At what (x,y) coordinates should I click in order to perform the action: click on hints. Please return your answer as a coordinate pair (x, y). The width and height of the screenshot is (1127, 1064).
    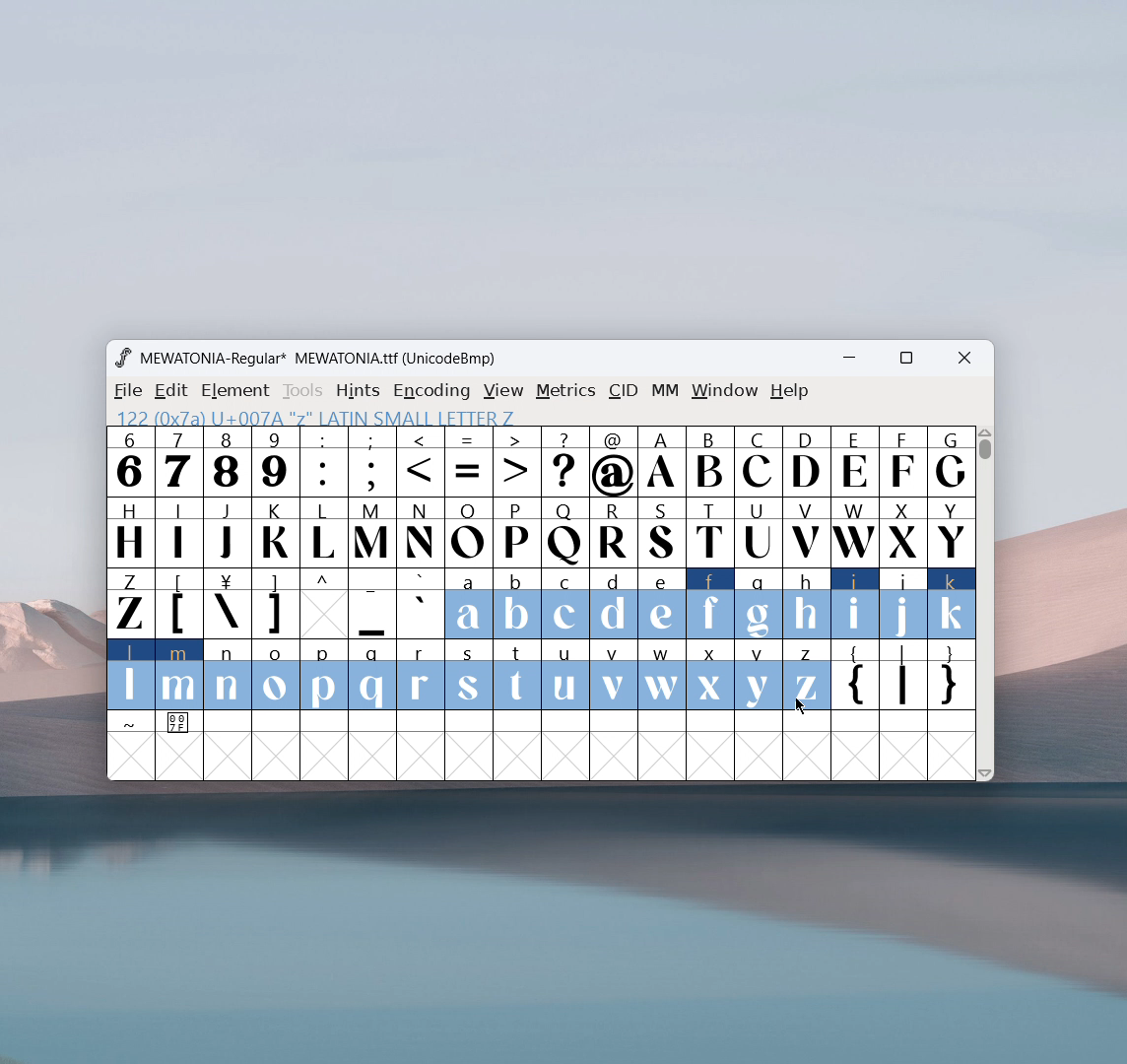
    Looking at the image, I should click on (360, 390).